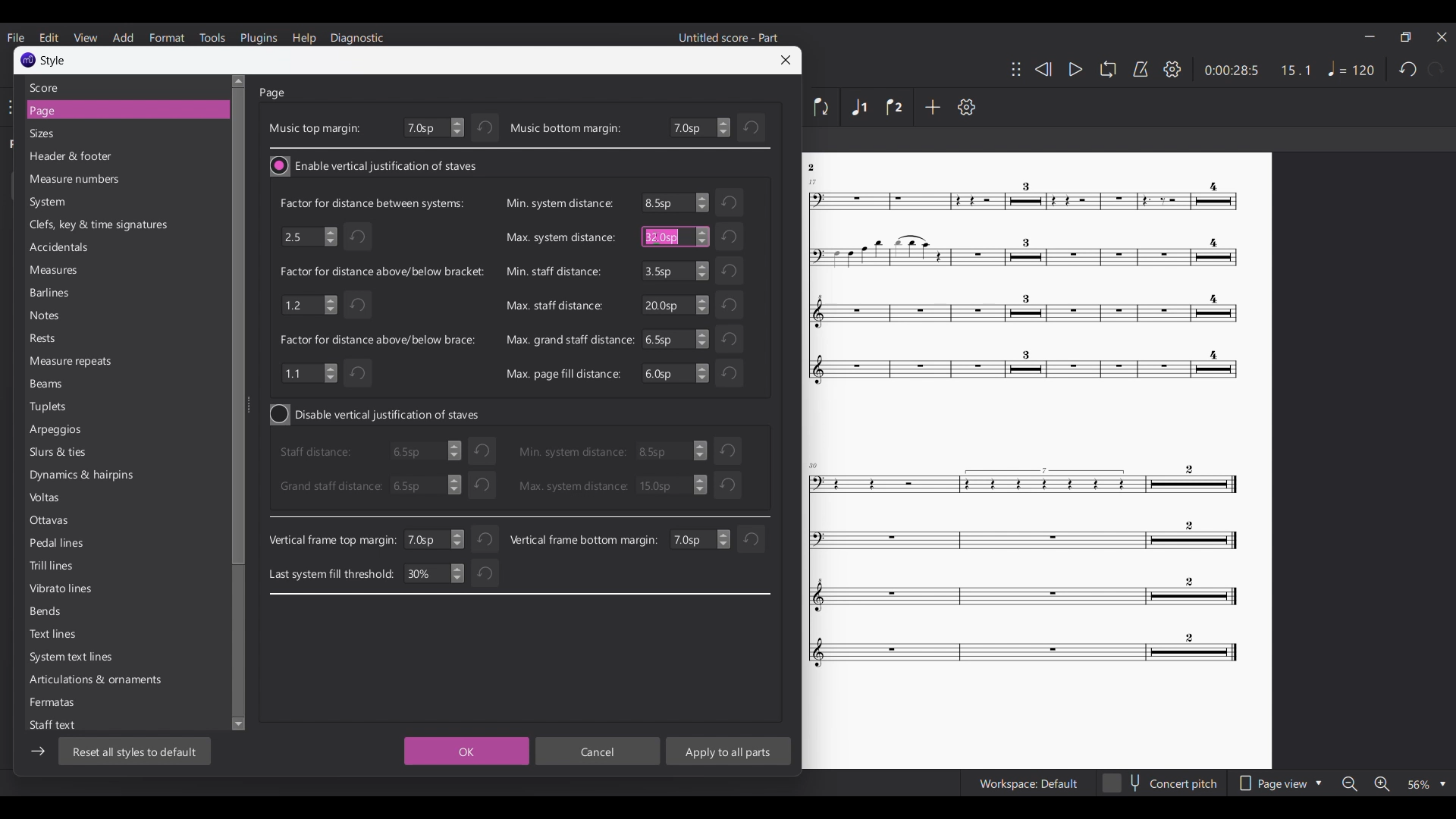 This screenshot has width=1456, height=819. Describe the element at coordinates (74, 293) in the screenshot. I see `Barlines` at that location.